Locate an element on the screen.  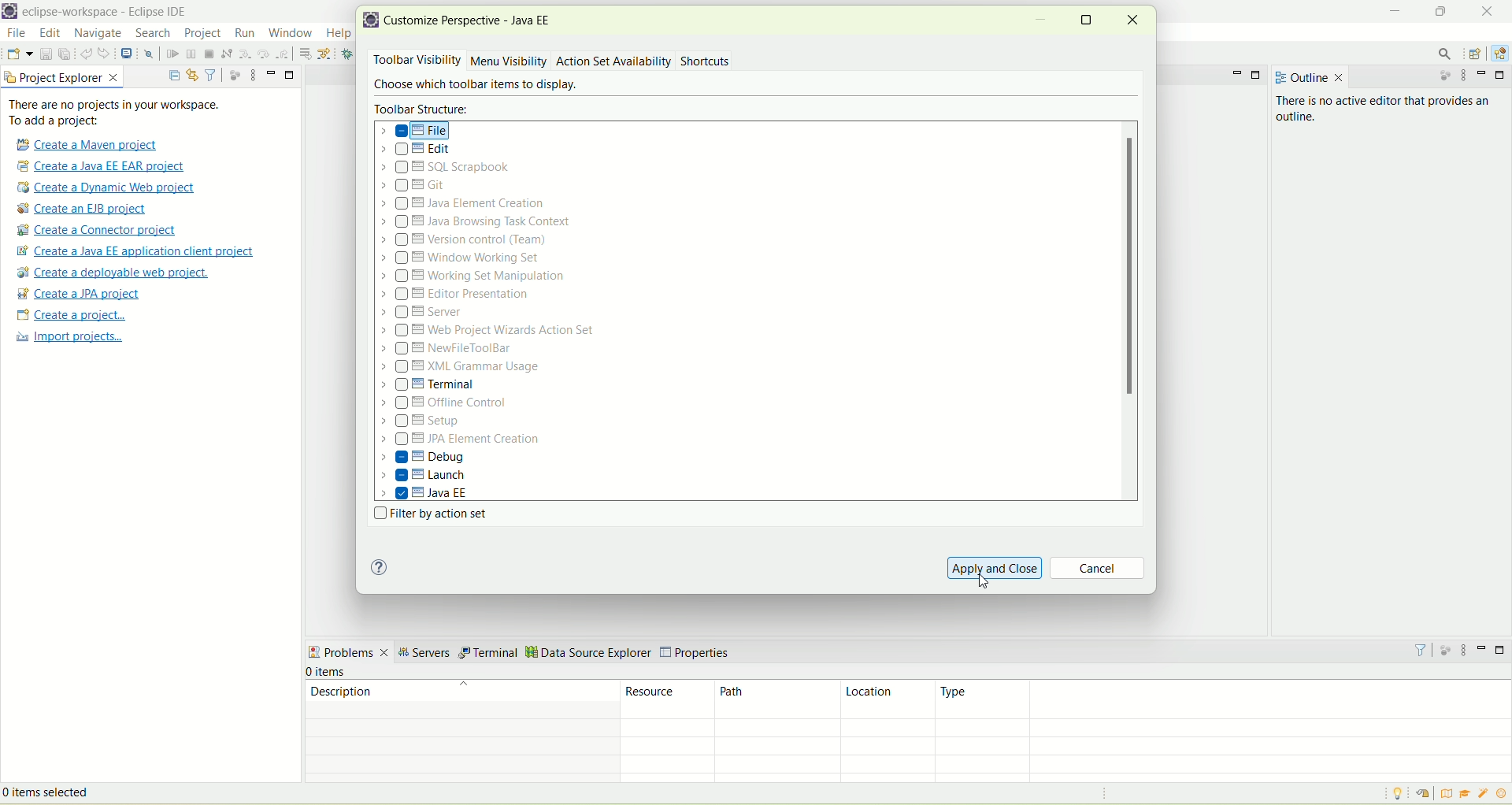
apply and close is located at coordinates (995, 567).